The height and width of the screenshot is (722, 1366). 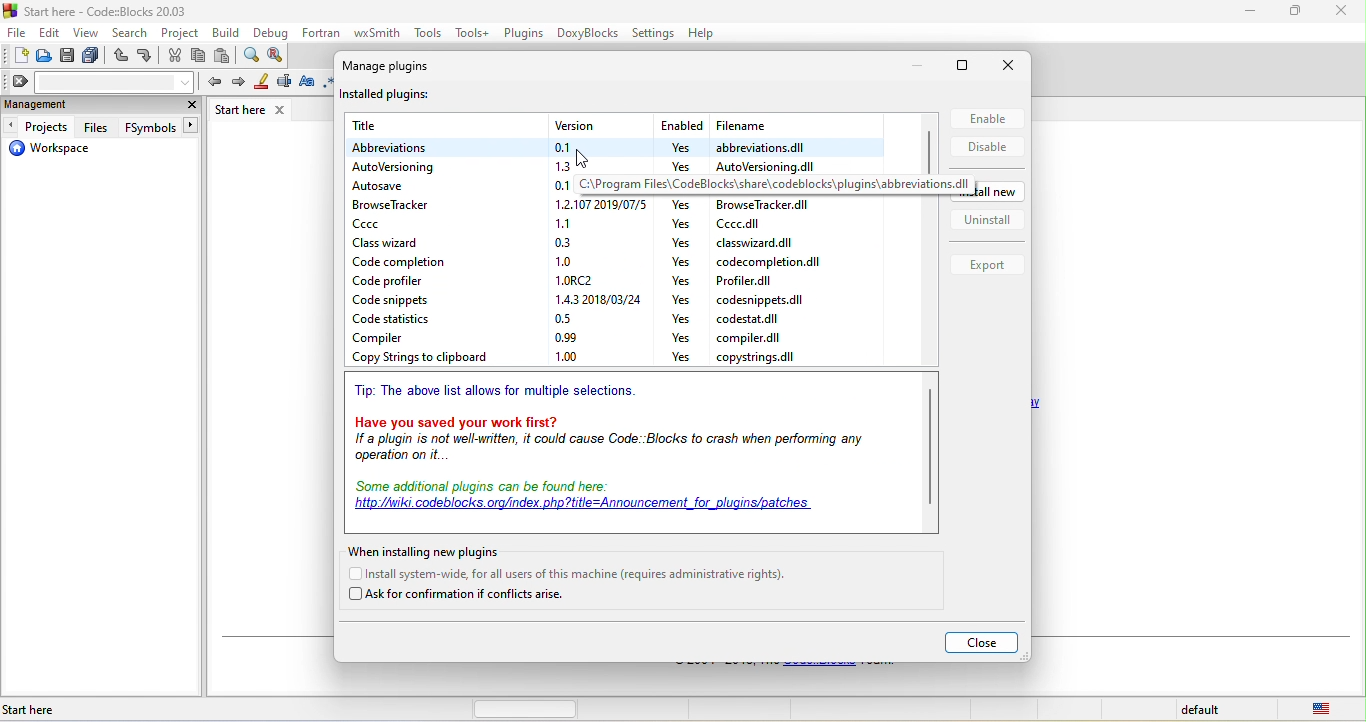 I want to click on yes, so click(x=680, y=262).